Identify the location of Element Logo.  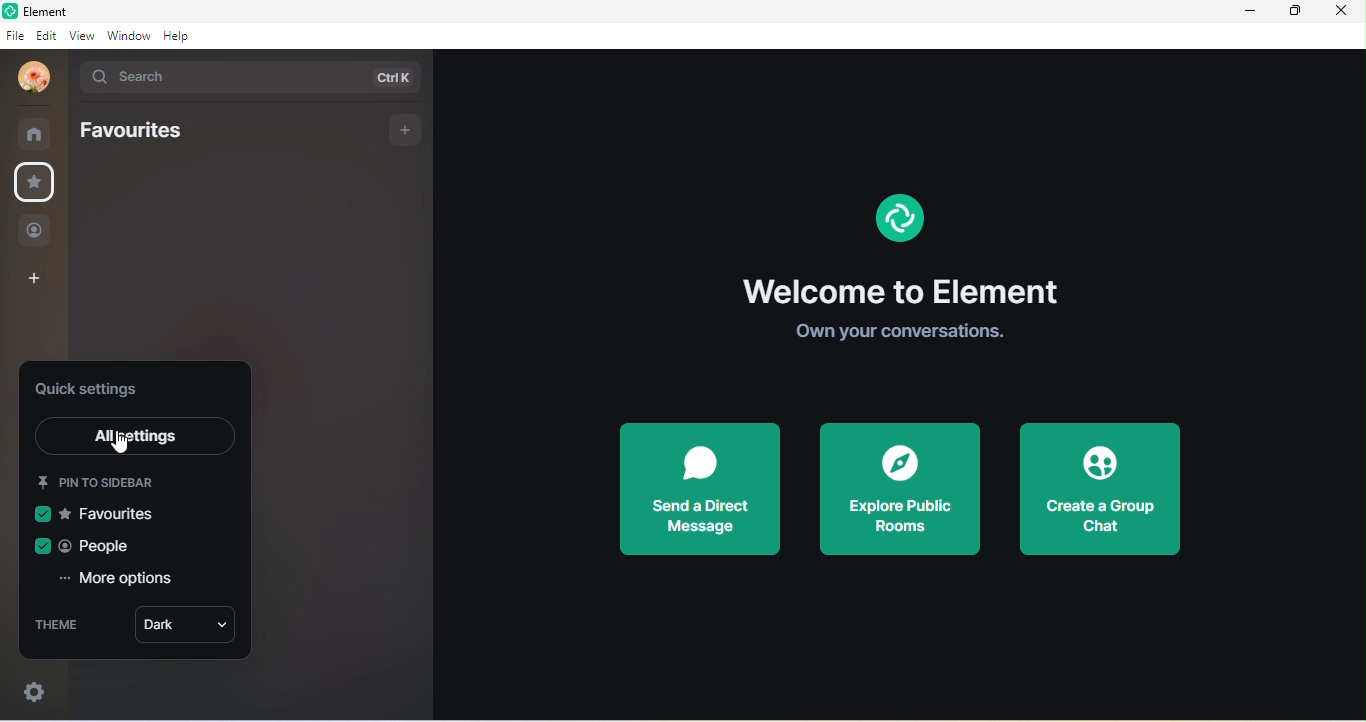
(912, 219).